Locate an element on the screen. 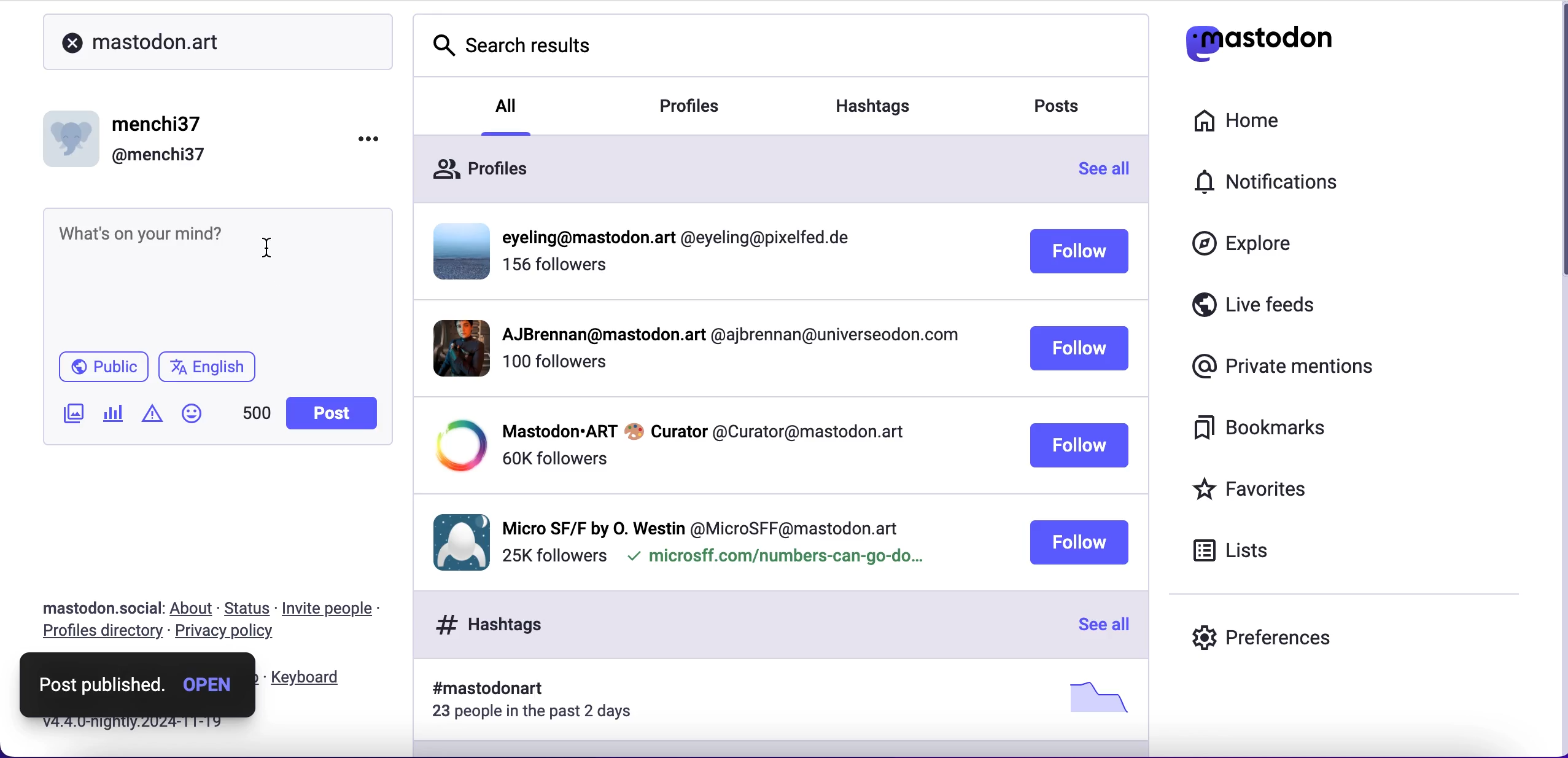 The height and width of the screenshot is (758, 1568). hashtags is located at coordinates (889, 101).